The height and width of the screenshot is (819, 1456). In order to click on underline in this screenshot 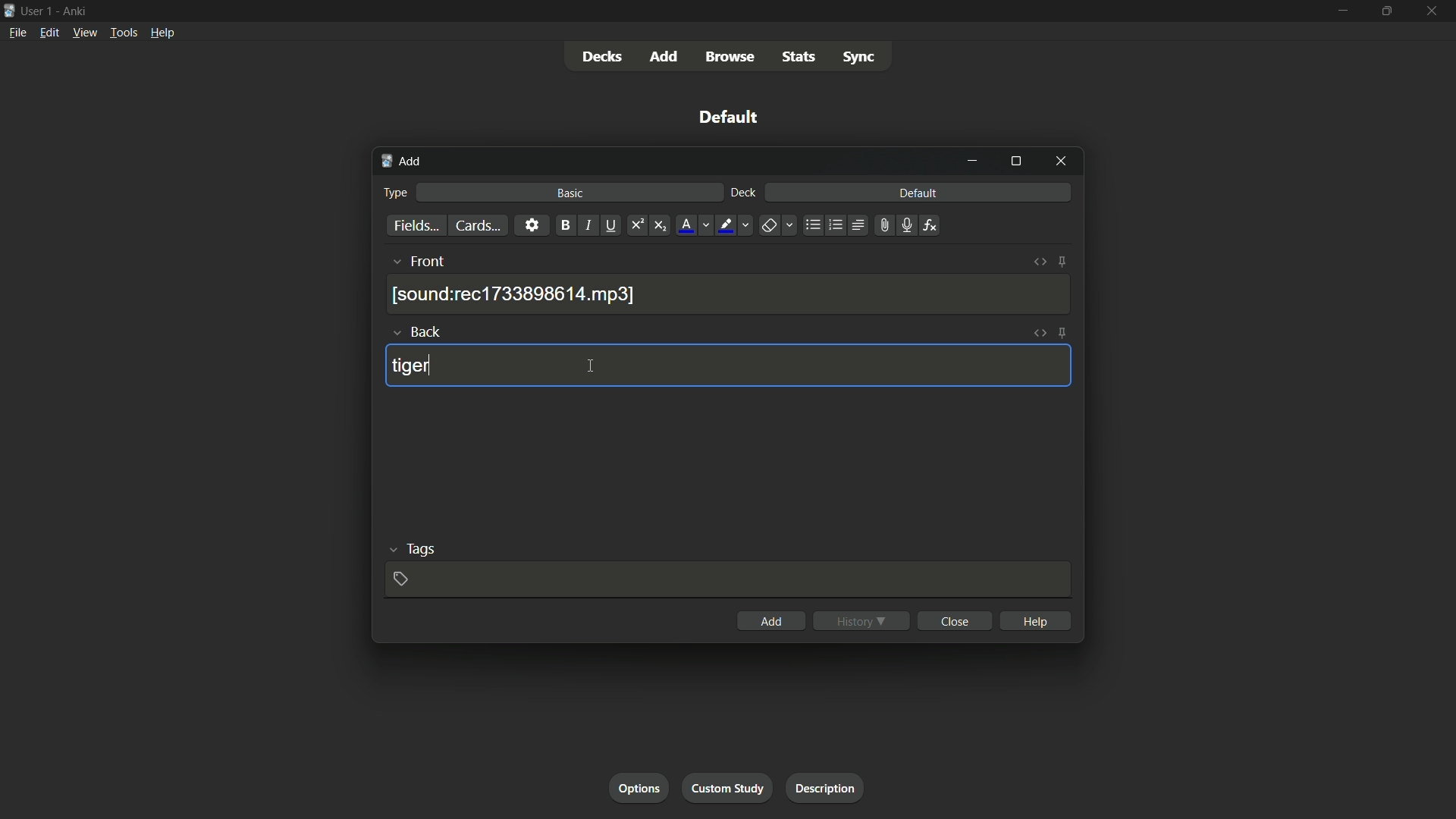, I will do `click(613, 225)`.